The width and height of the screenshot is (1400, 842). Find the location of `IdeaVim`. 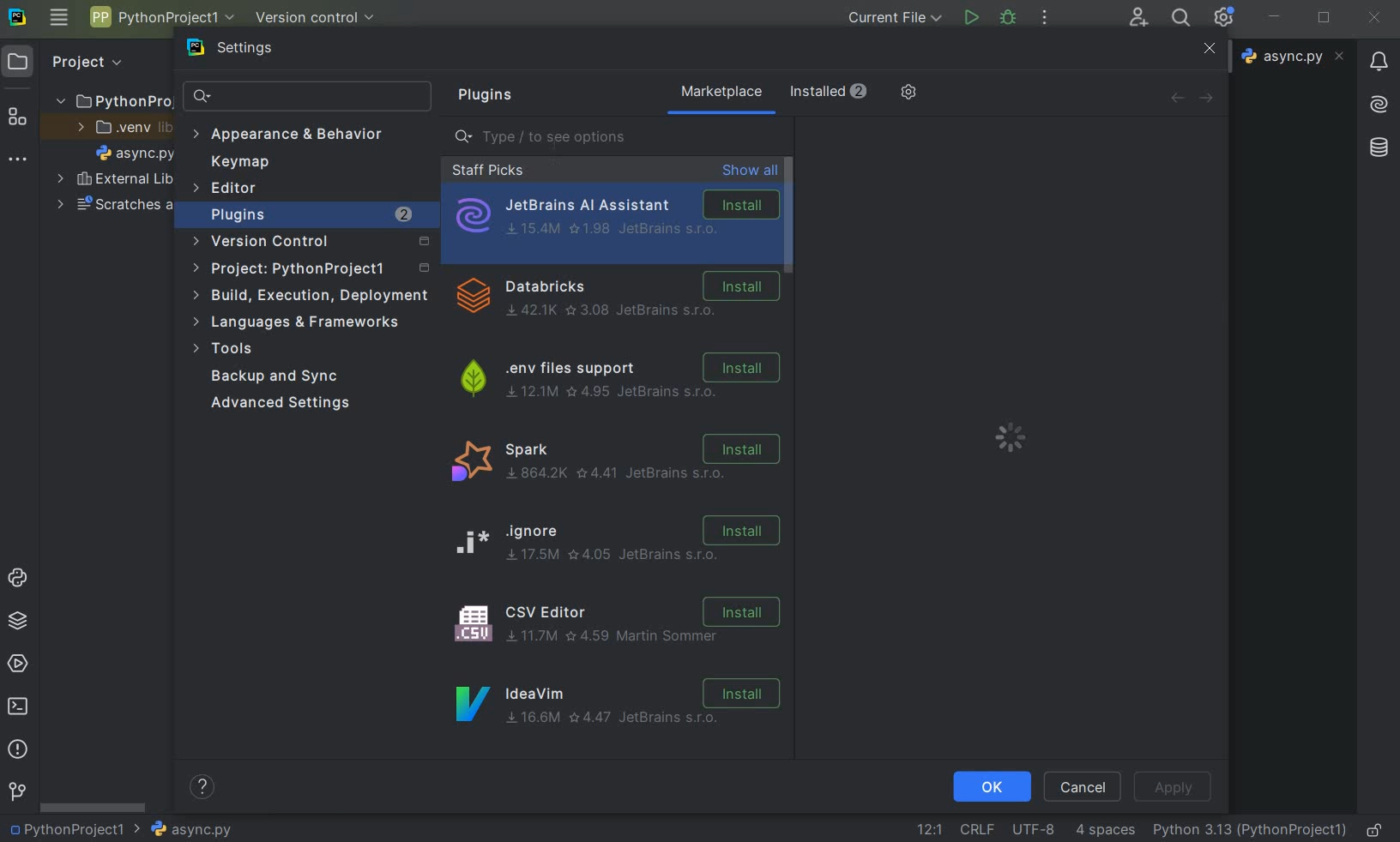

IdeaVim is located at coordinates (618, 709).